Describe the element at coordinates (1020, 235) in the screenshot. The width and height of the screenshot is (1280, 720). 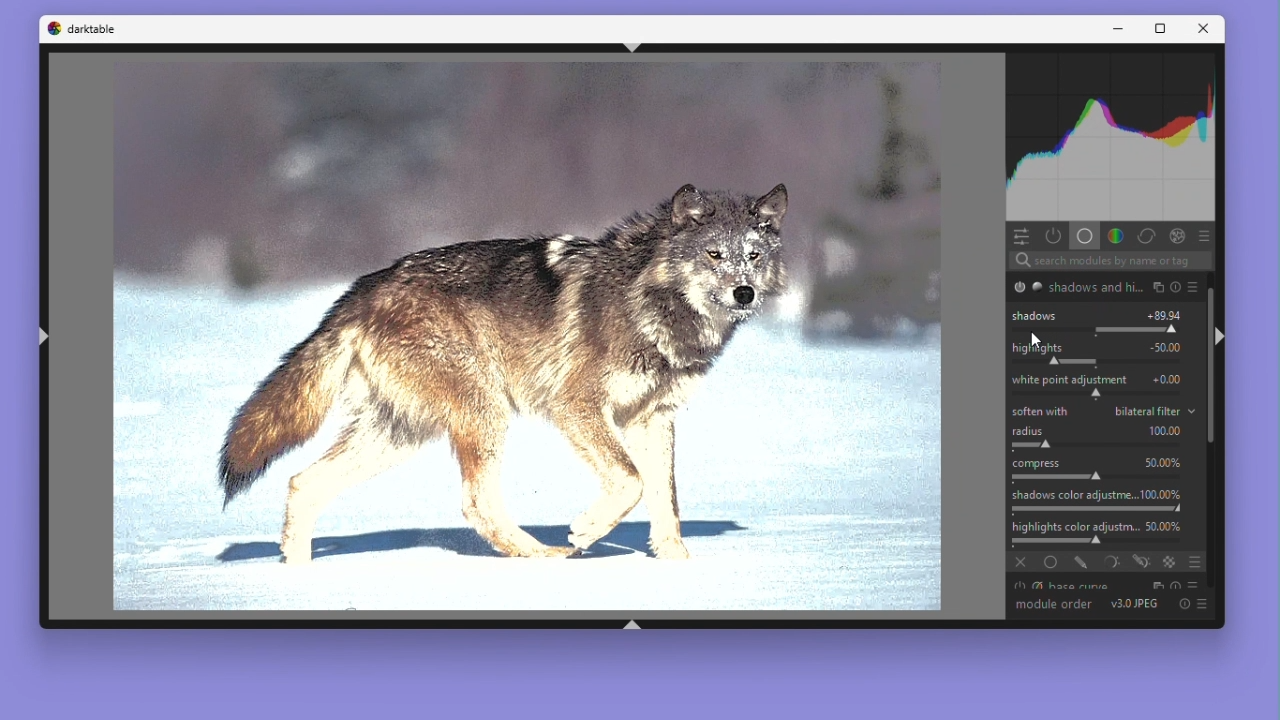
I see `Quick access` at that location.